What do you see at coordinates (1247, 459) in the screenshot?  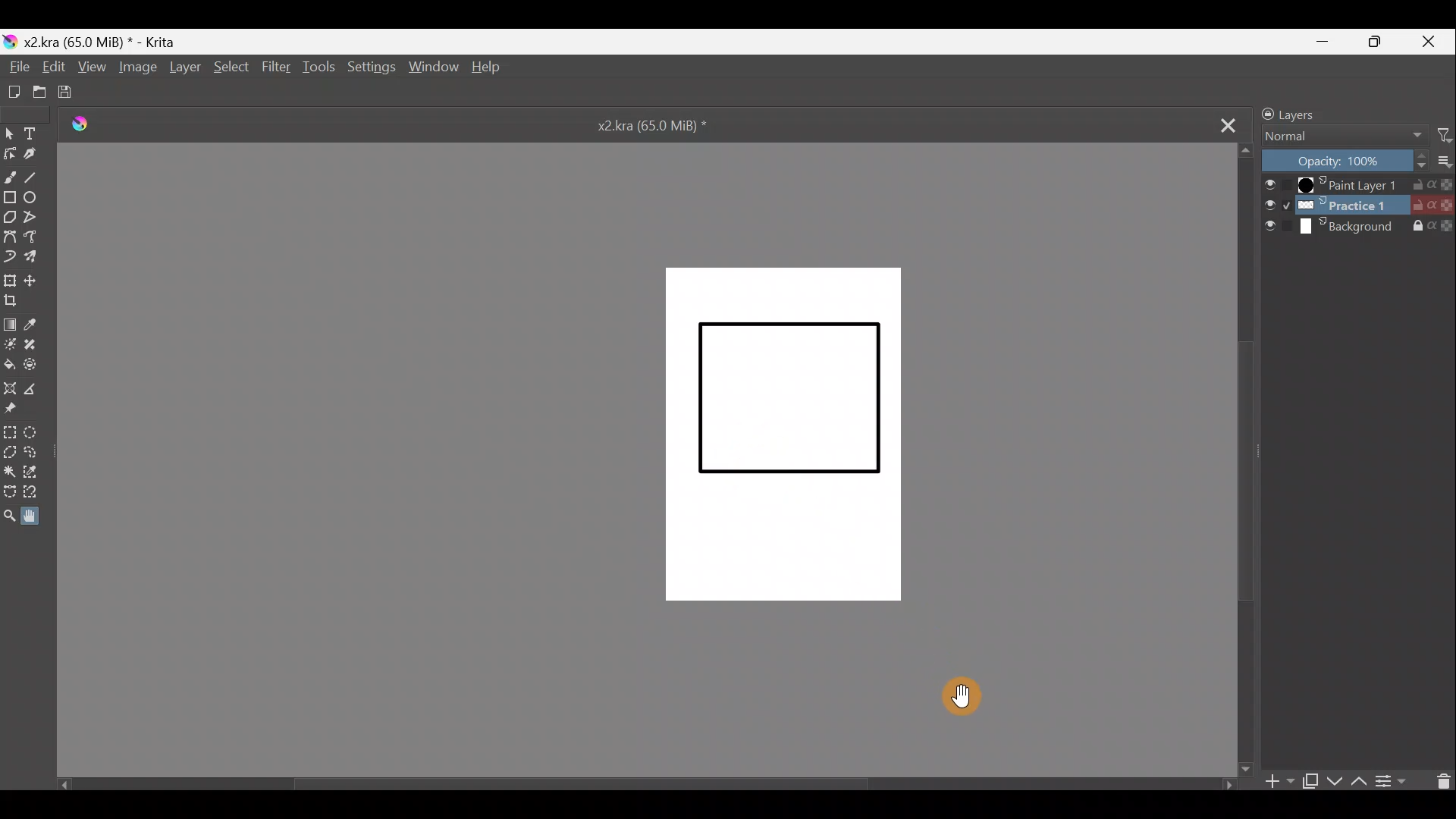 I see `Scroll down` at bounding box center [1247, 459].